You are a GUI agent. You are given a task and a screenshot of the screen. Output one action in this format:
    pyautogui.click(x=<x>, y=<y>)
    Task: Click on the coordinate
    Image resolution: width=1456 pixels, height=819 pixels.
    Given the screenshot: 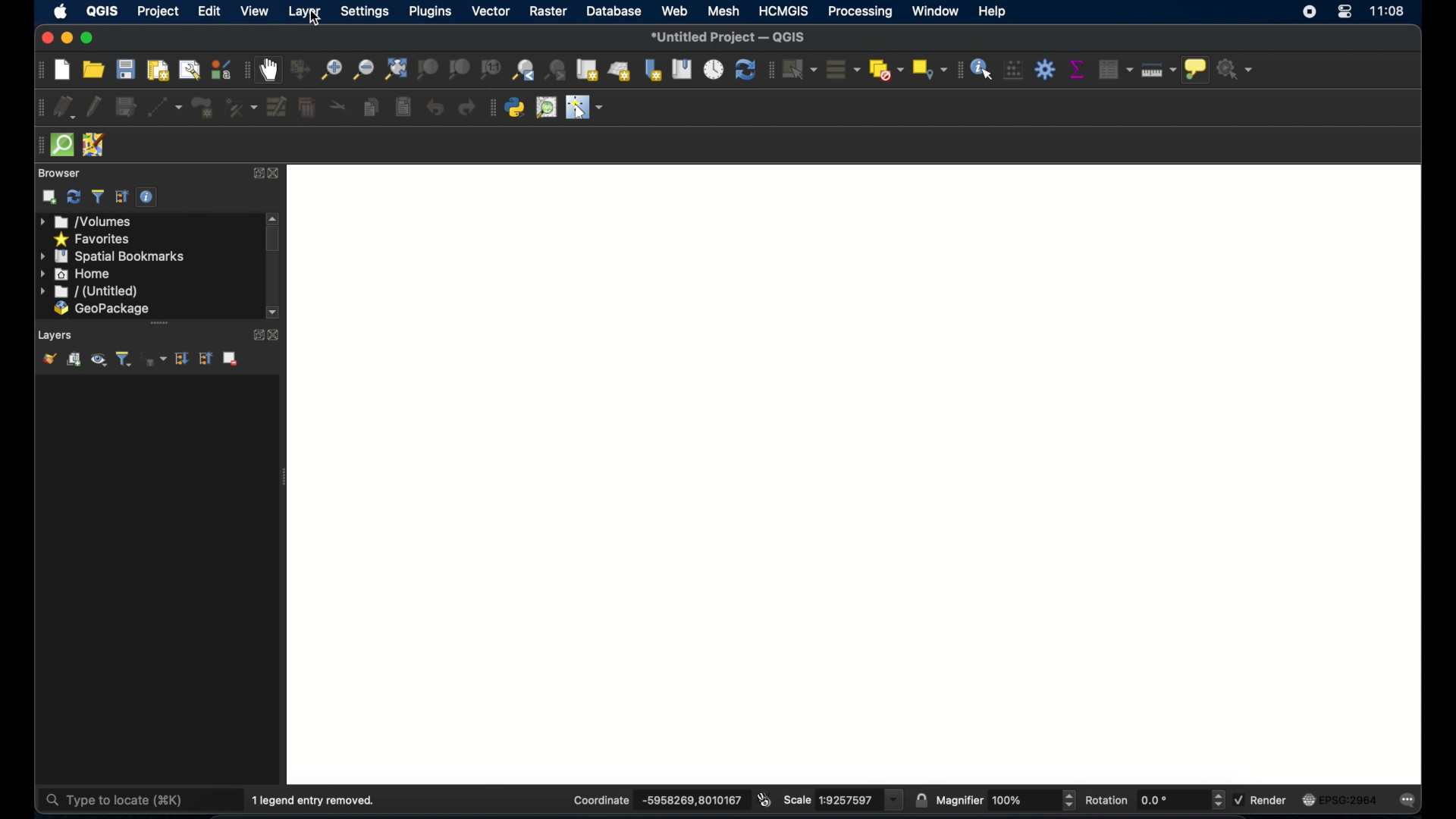 What is the action you would take?
    pyautogui.click(x=689, y=800)
    